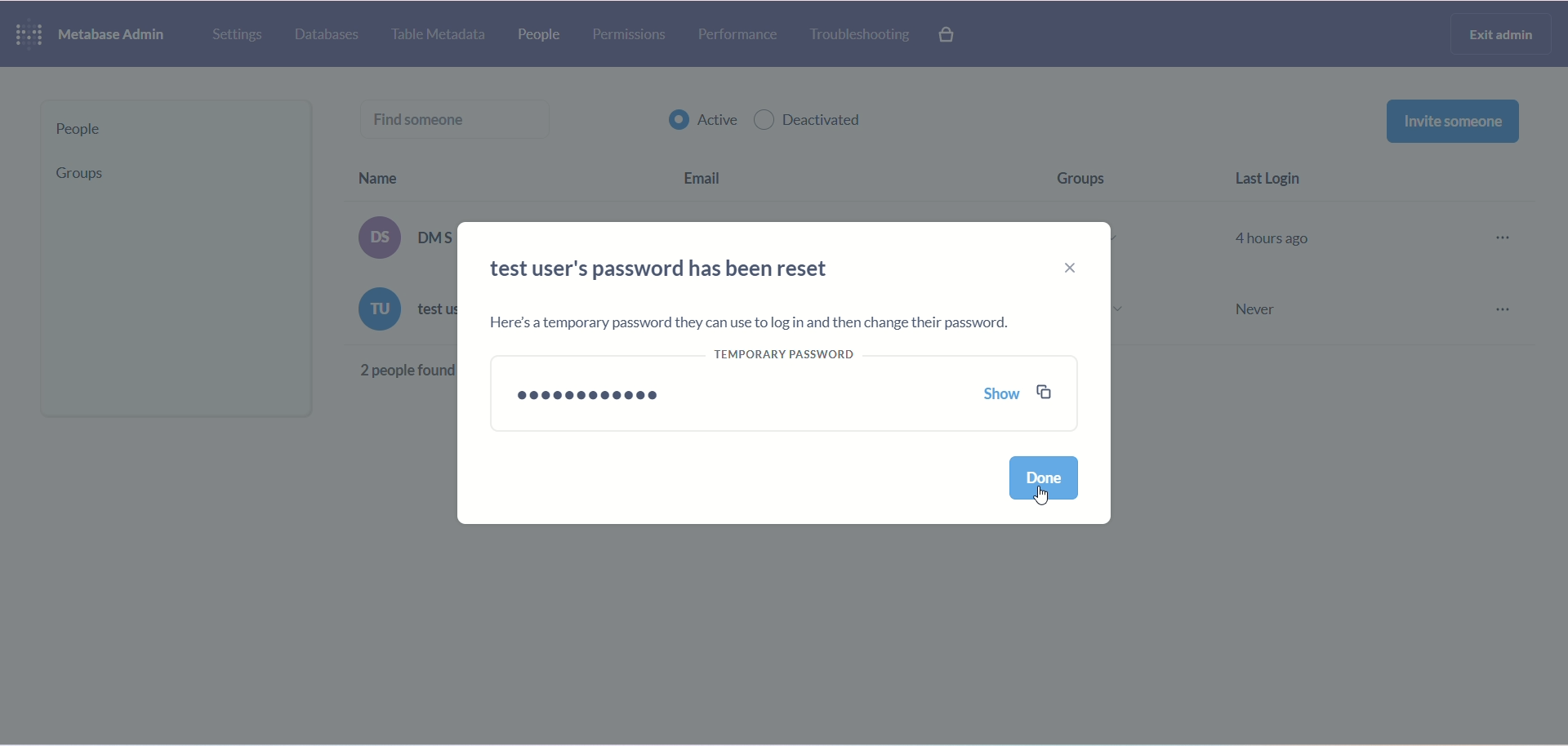 Image resolution: width=1568 pixels, height=746 pixels. What do you see at coordinates (714, 173) in the screenshot?
I see `email` at bounding box center [714, 173].